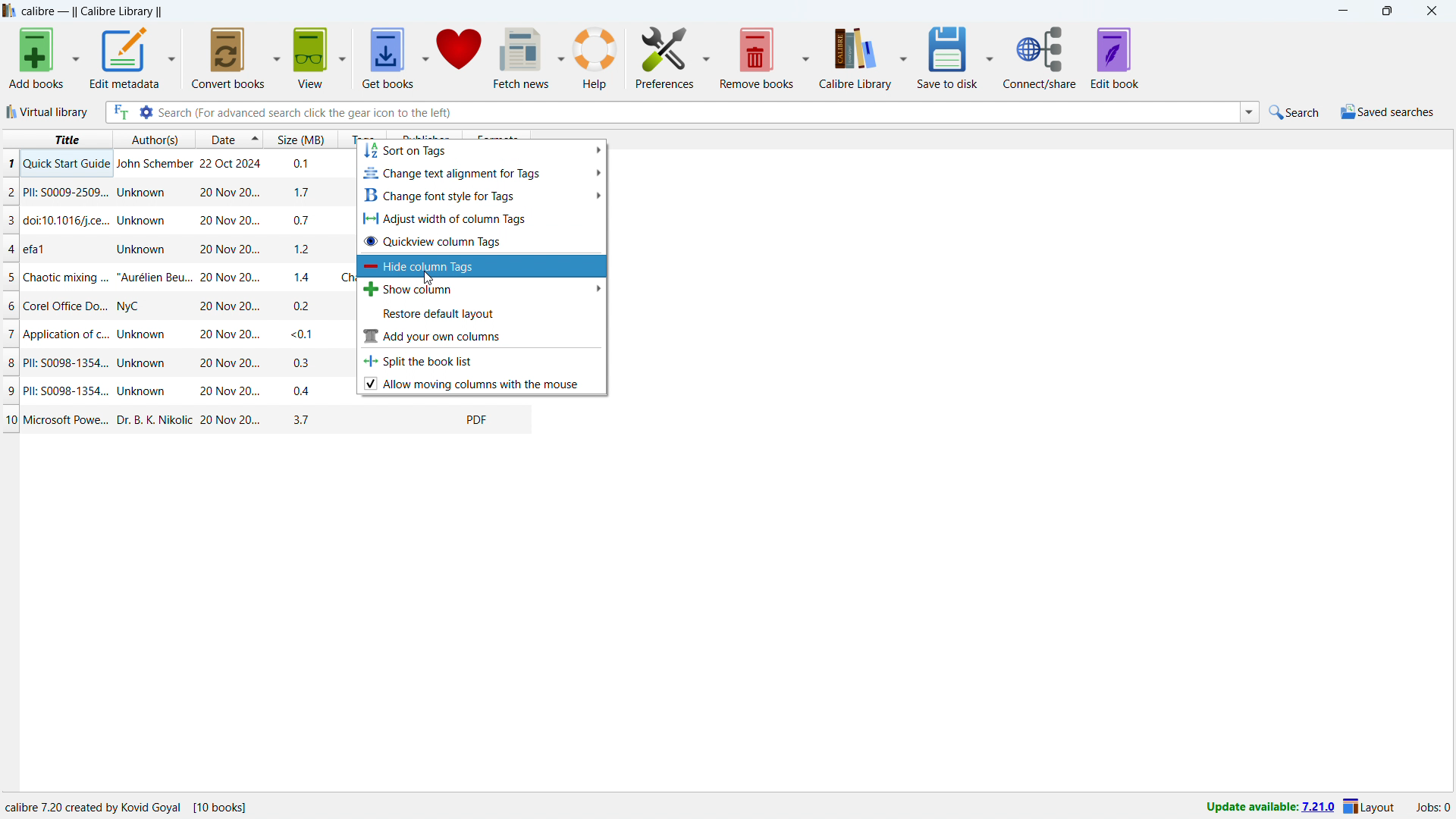  Describe the element at coordinates (561, 58) in the screenshot. I see `fetch news options` at that location.